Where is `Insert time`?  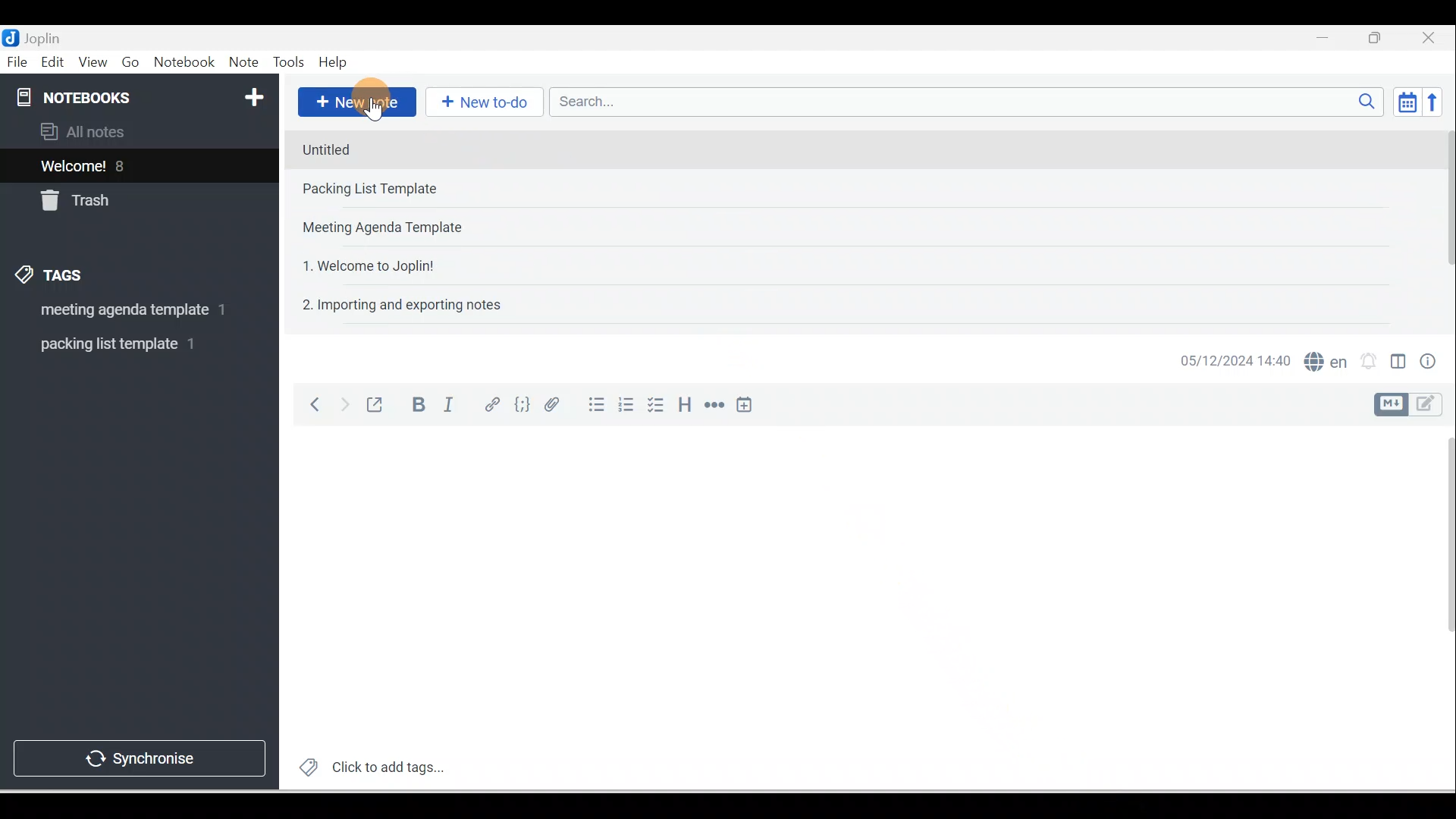 Insert time is located at coordinates (744, 406).